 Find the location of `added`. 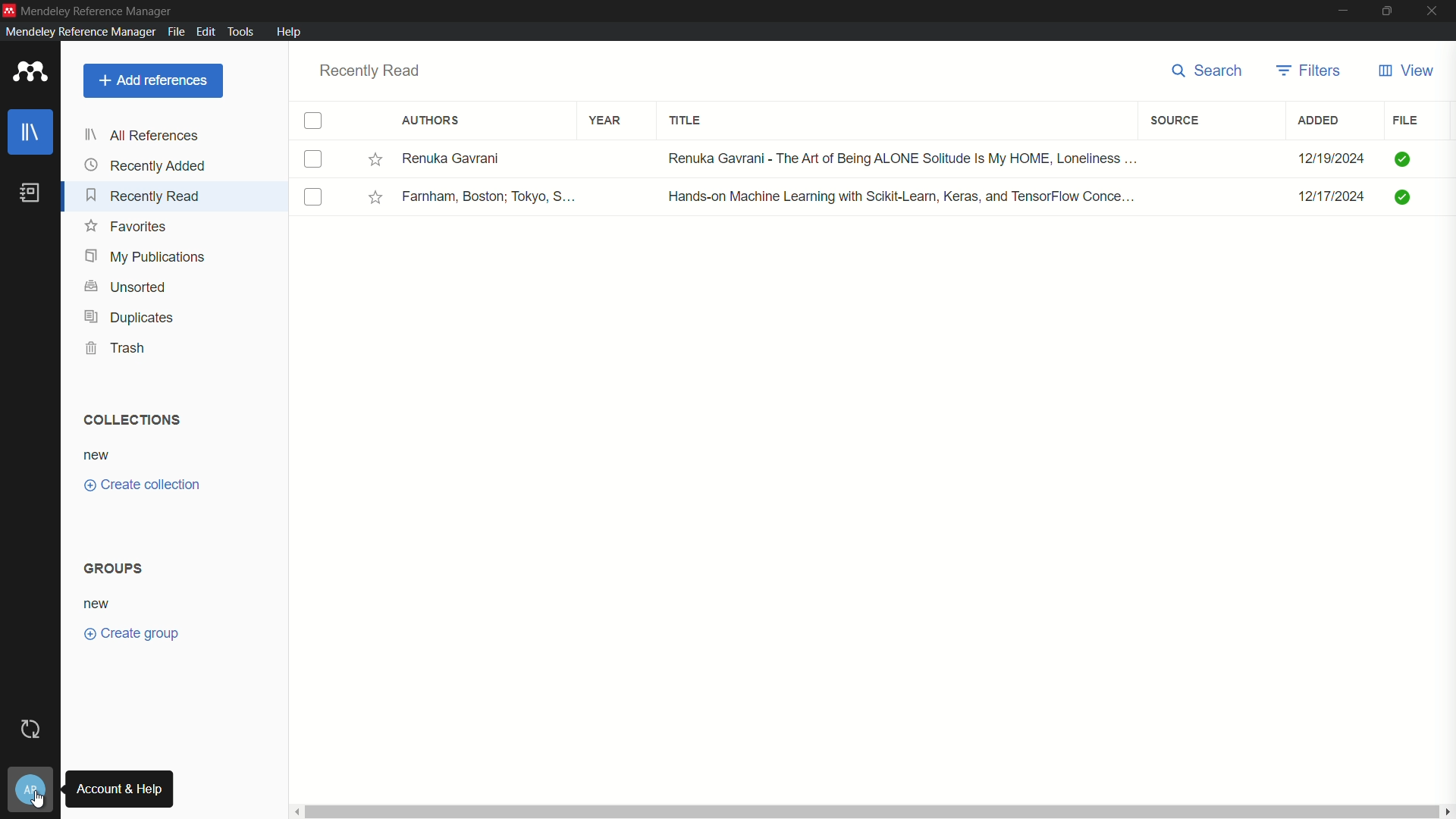

added is located at coordinates (1319, 121).